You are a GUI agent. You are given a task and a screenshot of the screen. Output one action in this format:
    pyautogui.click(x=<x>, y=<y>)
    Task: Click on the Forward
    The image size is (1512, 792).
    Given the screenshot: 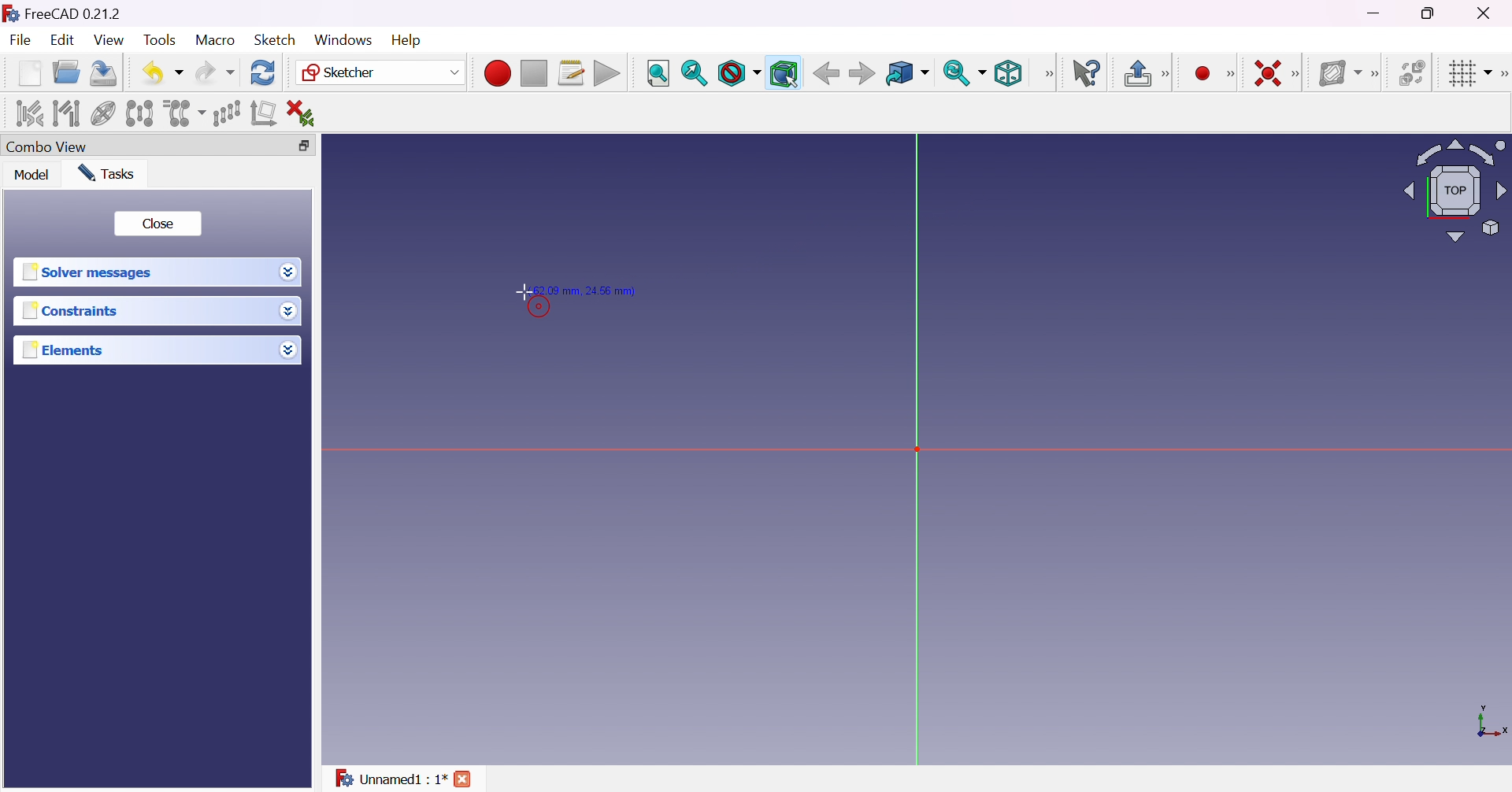 What is the action you would take?
    pyautogui.click(x=862, y=75)
    